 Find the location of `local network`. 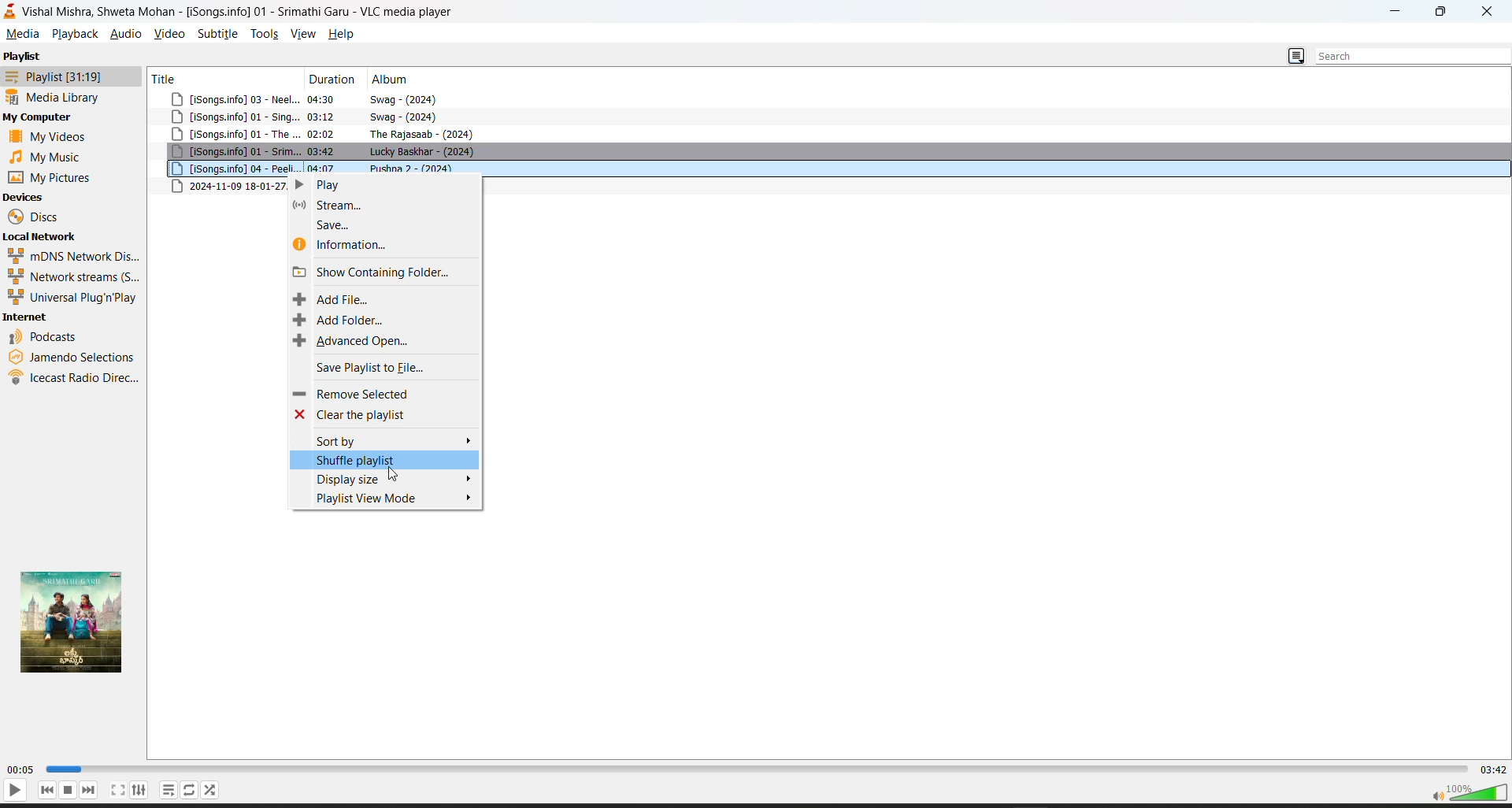

local network is located at coordinates (46, 237).